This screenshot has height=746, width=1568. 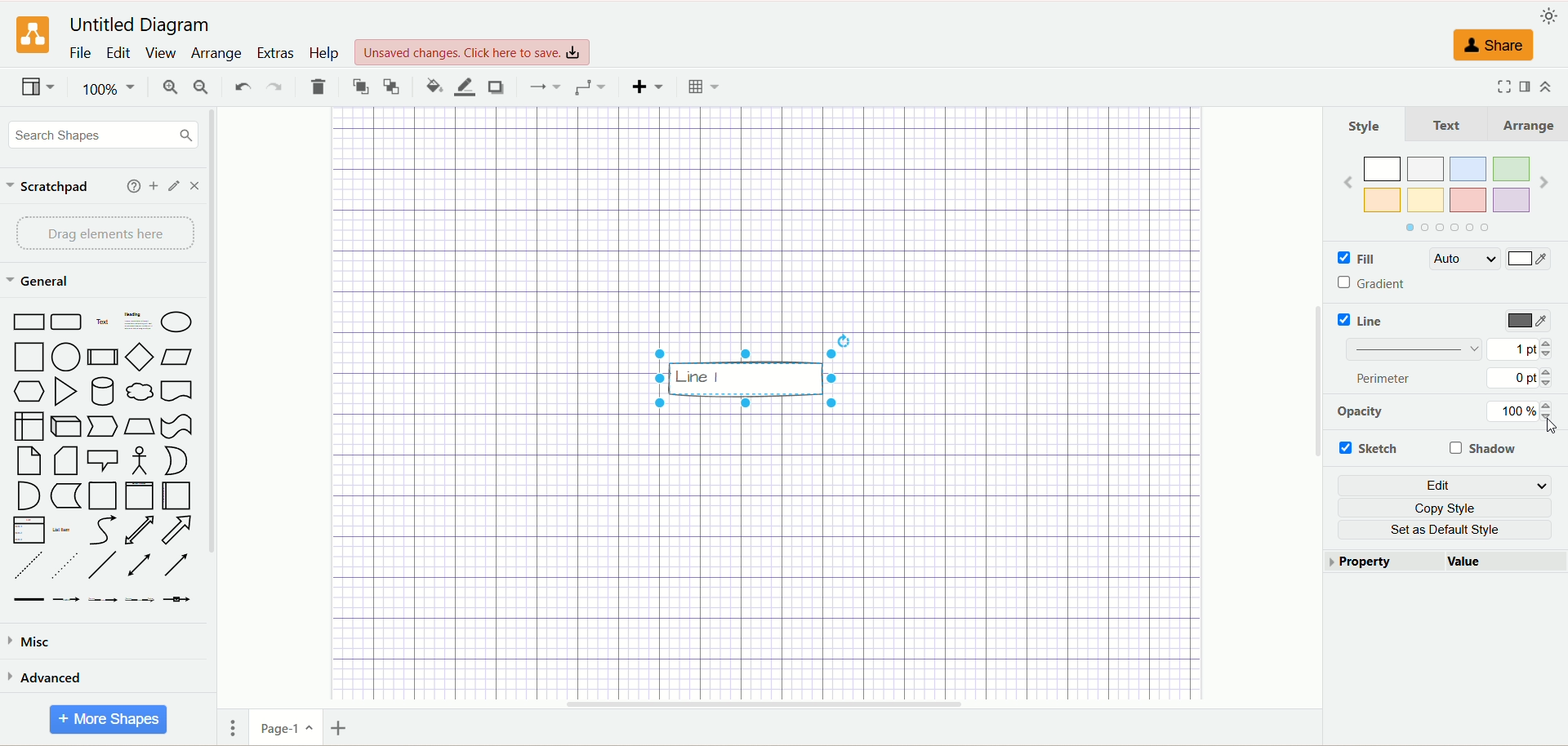 What do you see at coordinates (66, 357) in the screenshot?
I see `Circle` at bounding box center [66, 357].